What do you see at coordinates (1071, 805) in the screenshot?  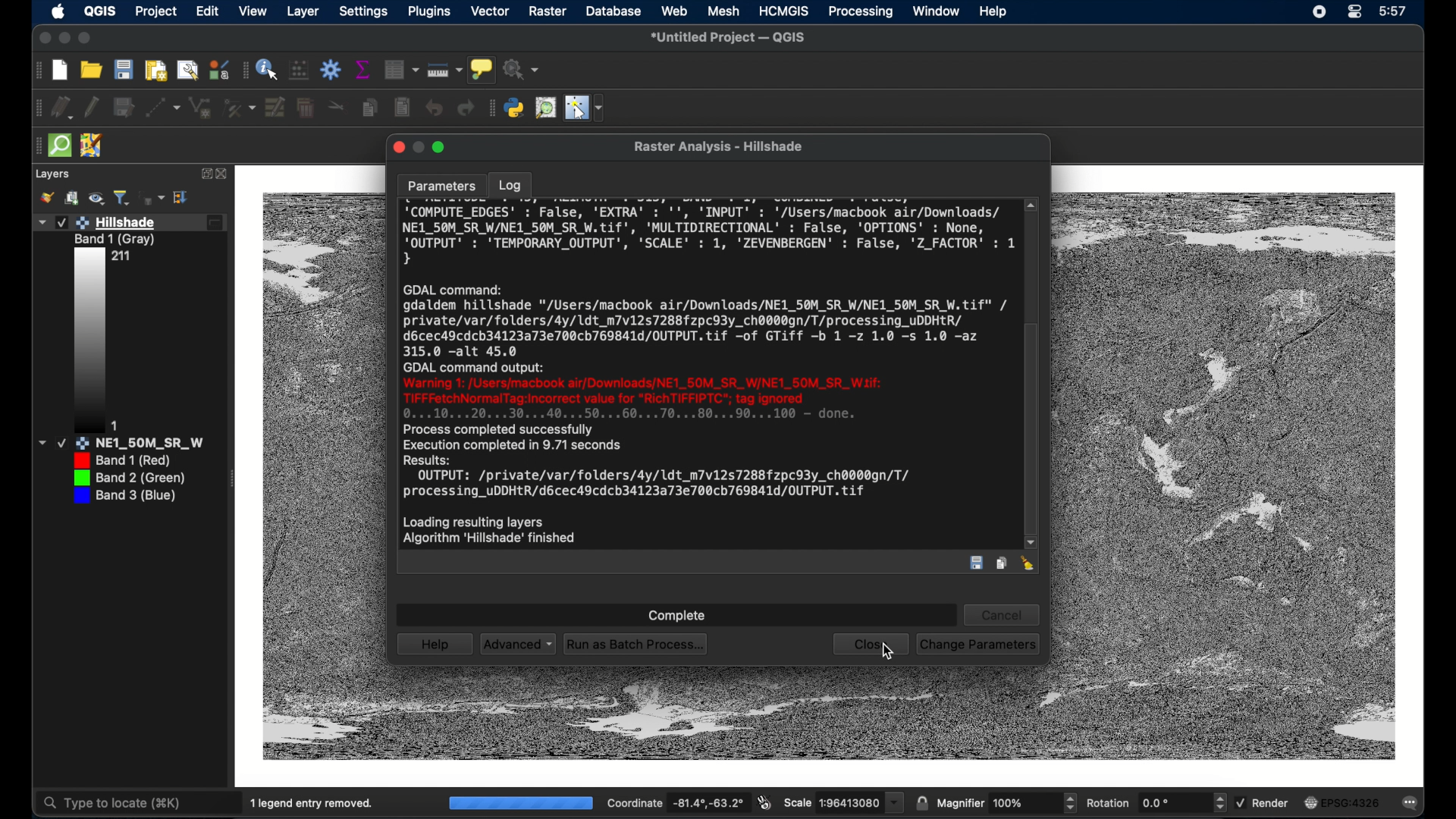 I see `increase/decrease arrow` at bounding box center [1071, 805].